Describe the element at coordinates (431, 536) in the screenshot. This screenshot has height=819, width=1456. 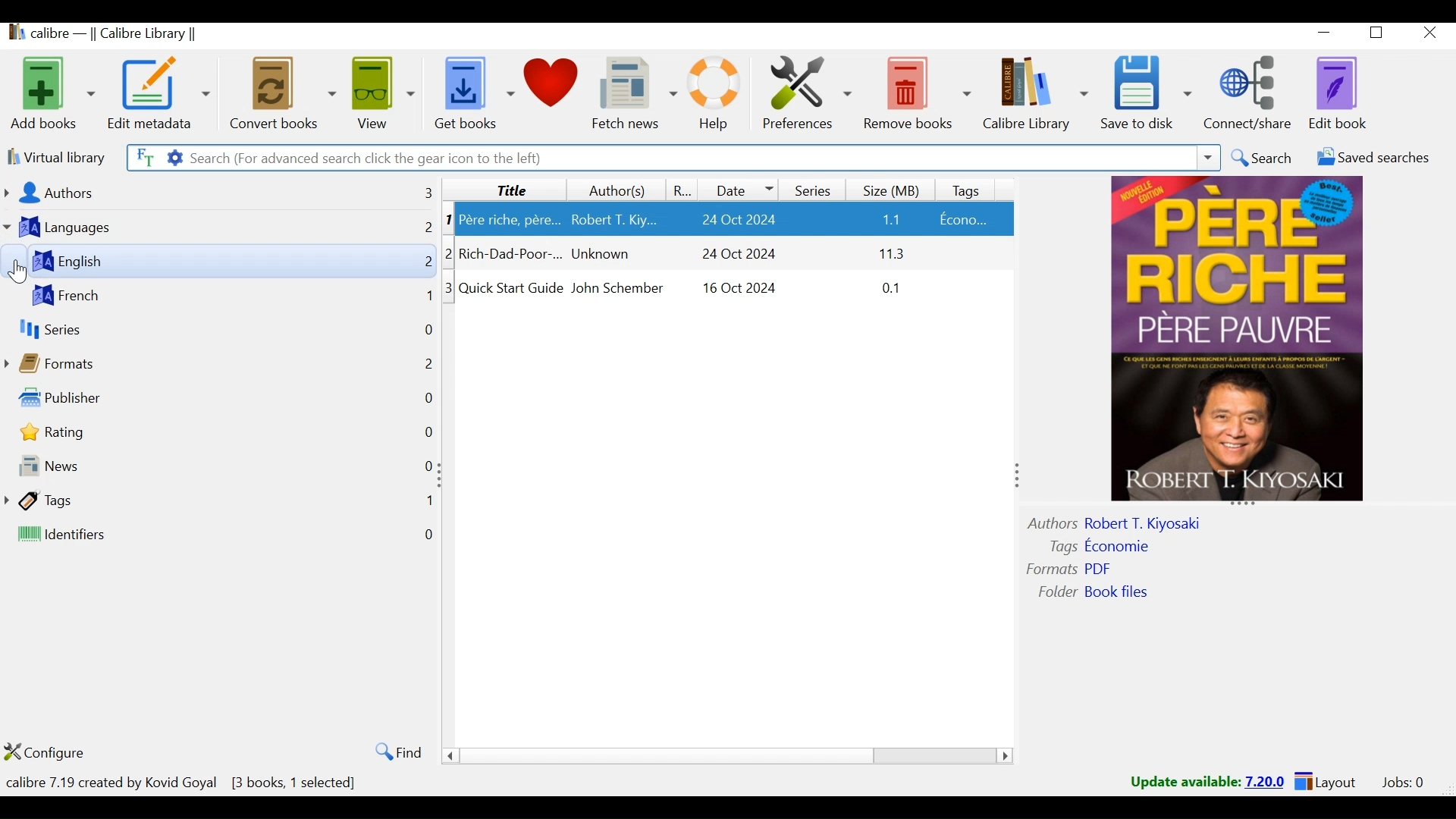
I see `0` at that location.